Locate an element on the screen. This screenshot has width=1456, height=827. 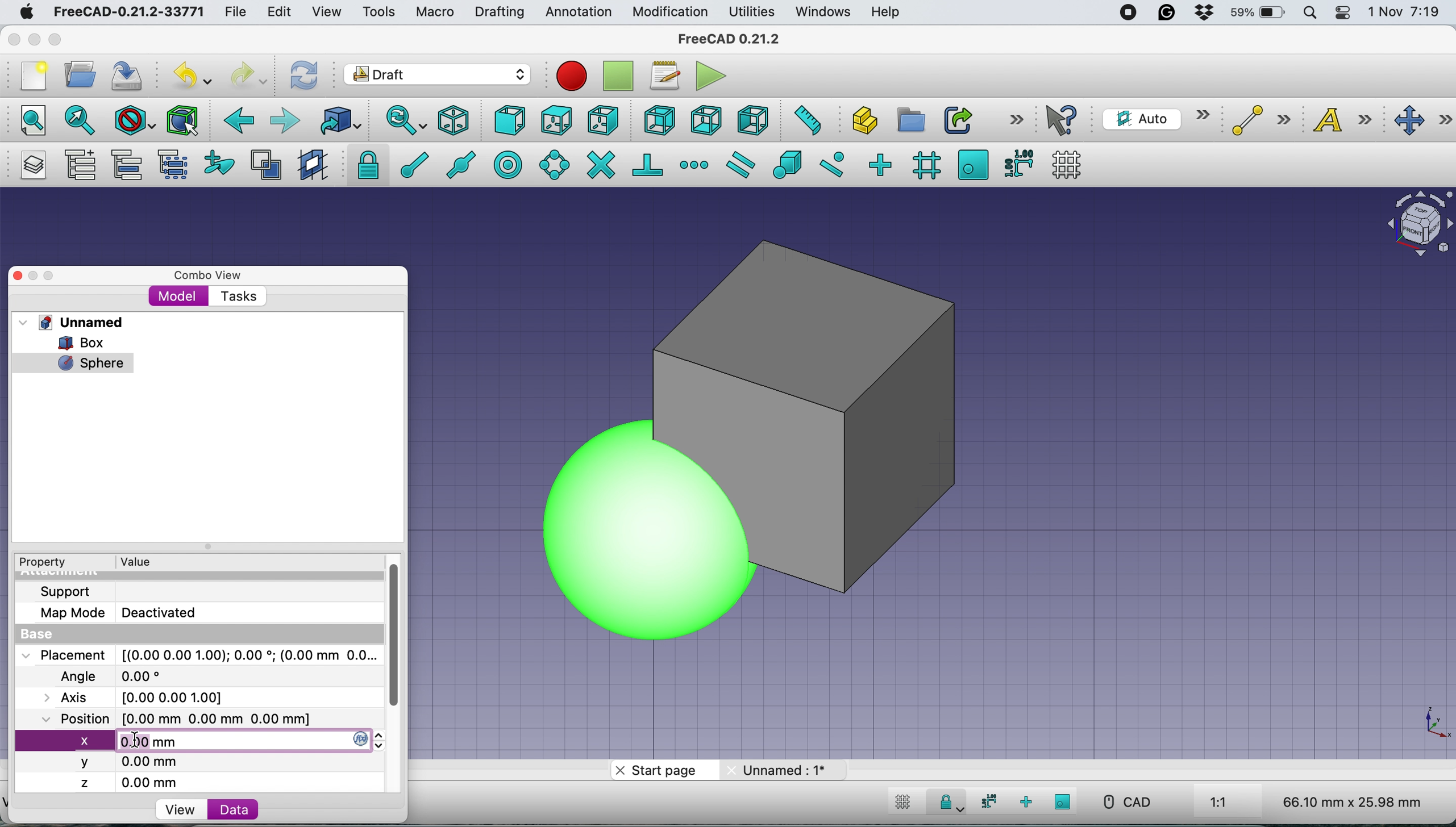
line is located at coordinates (1258, 120).